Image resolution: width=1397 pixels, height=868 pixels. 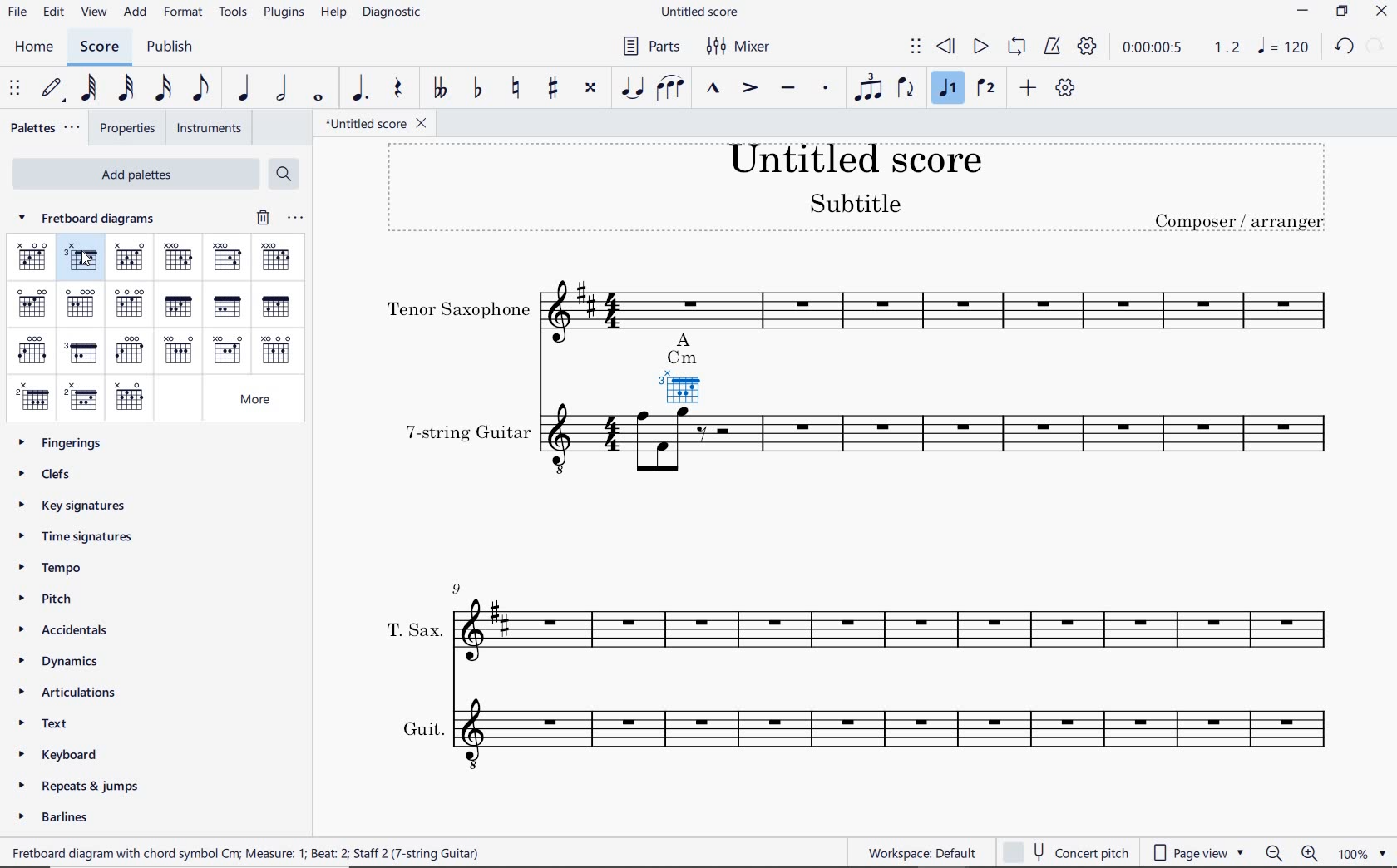 What do you see at coordinates (317, 100) in the screenshot?
I see `WHOLE NOTE` at bounding box center [317, 100].